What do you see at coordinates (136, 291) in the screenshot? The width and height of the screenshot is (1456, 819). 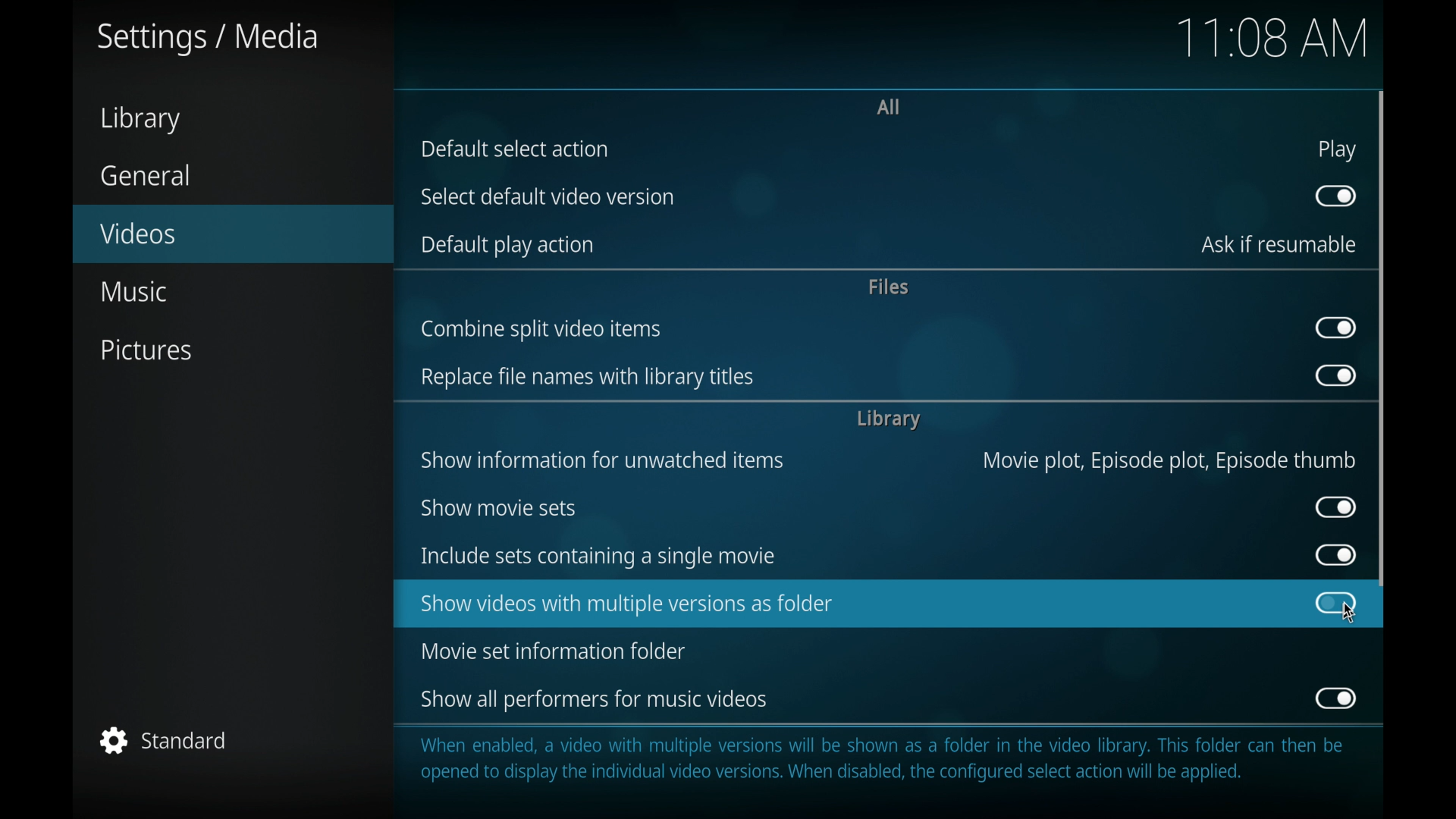 I see `music` at bounding box center [136, 291].